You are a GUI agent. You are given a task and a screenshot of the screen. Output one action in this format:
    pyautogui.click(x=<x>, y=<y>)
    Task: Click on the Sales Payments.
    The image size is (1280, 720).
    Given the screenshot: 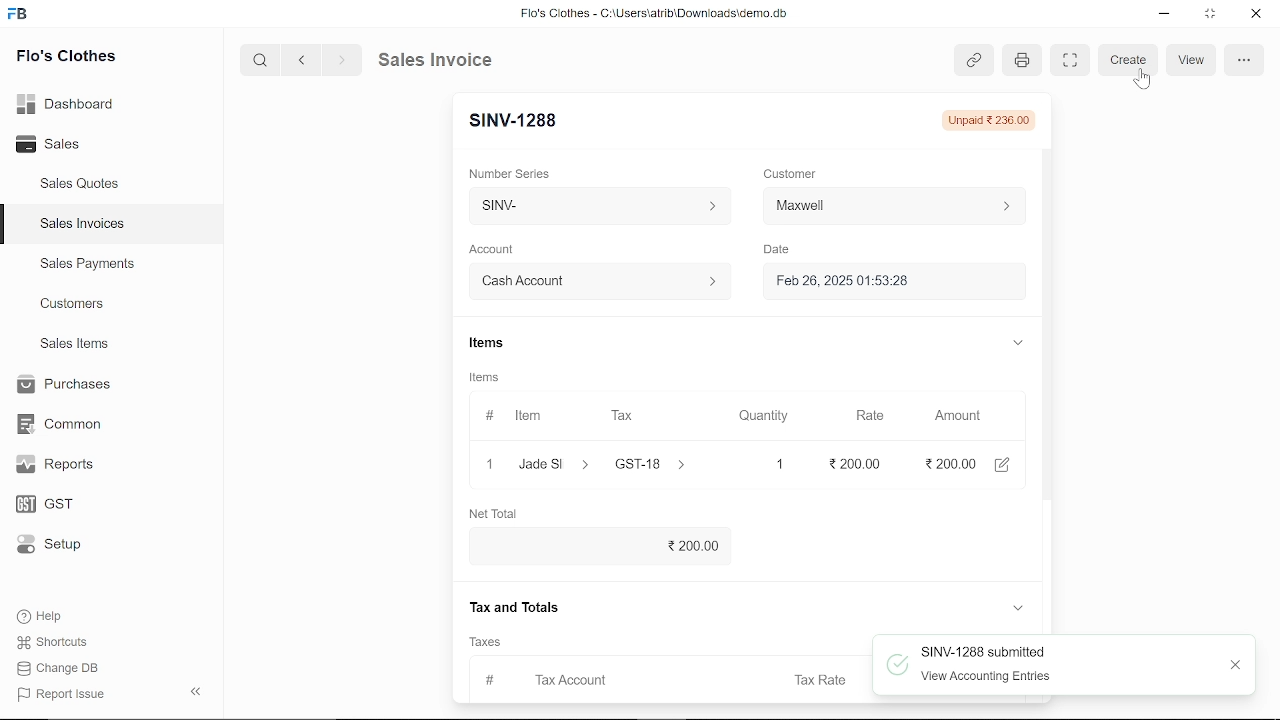 What is the action you would take?
    pyautogui.click(x=86, y=264)
    